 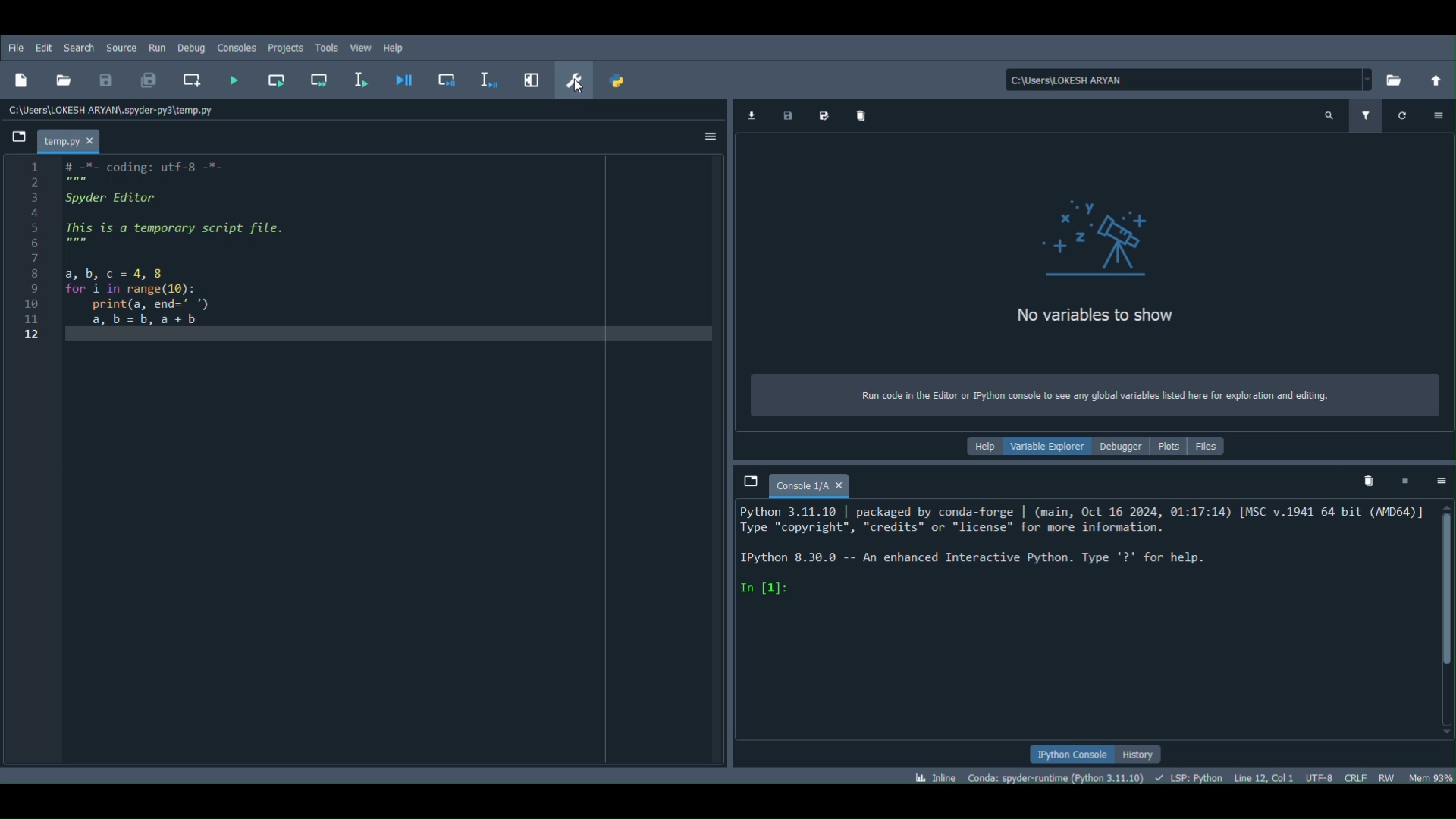 What do you see at coordinates (115, 108) in the screenshot?
I see `File path` at bounding box center [115, 108].